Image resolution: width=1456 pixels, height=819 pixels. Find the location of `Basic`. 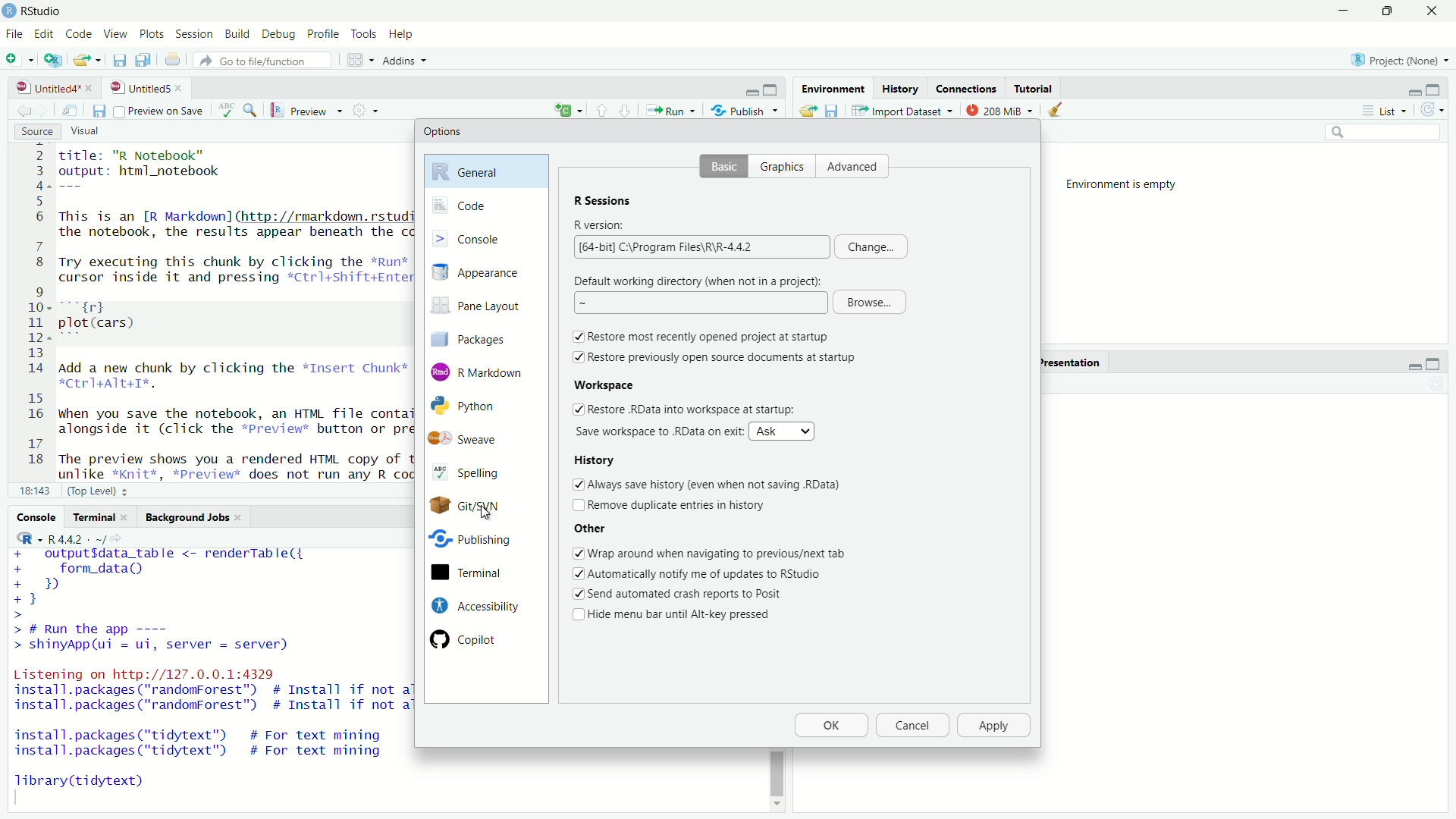

Basic is located at coordinates (723, 168).